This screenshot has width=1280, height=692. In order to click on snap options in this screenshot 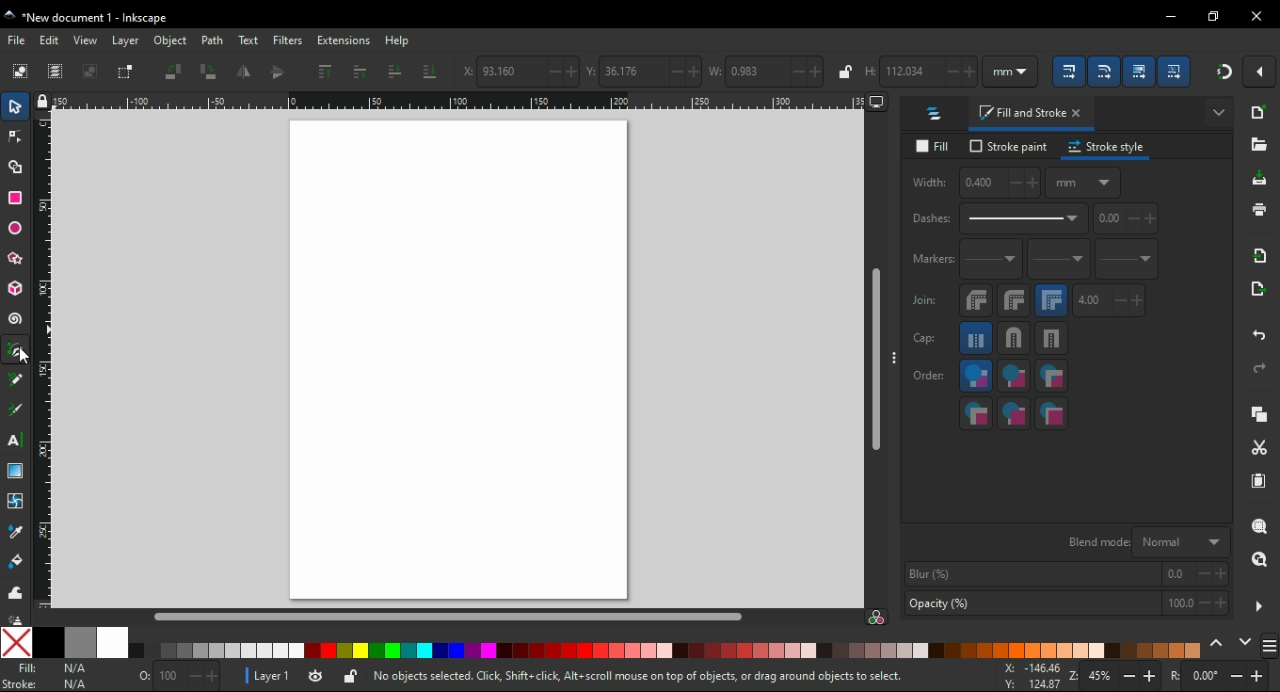, I will do `click(1262, 70)`.